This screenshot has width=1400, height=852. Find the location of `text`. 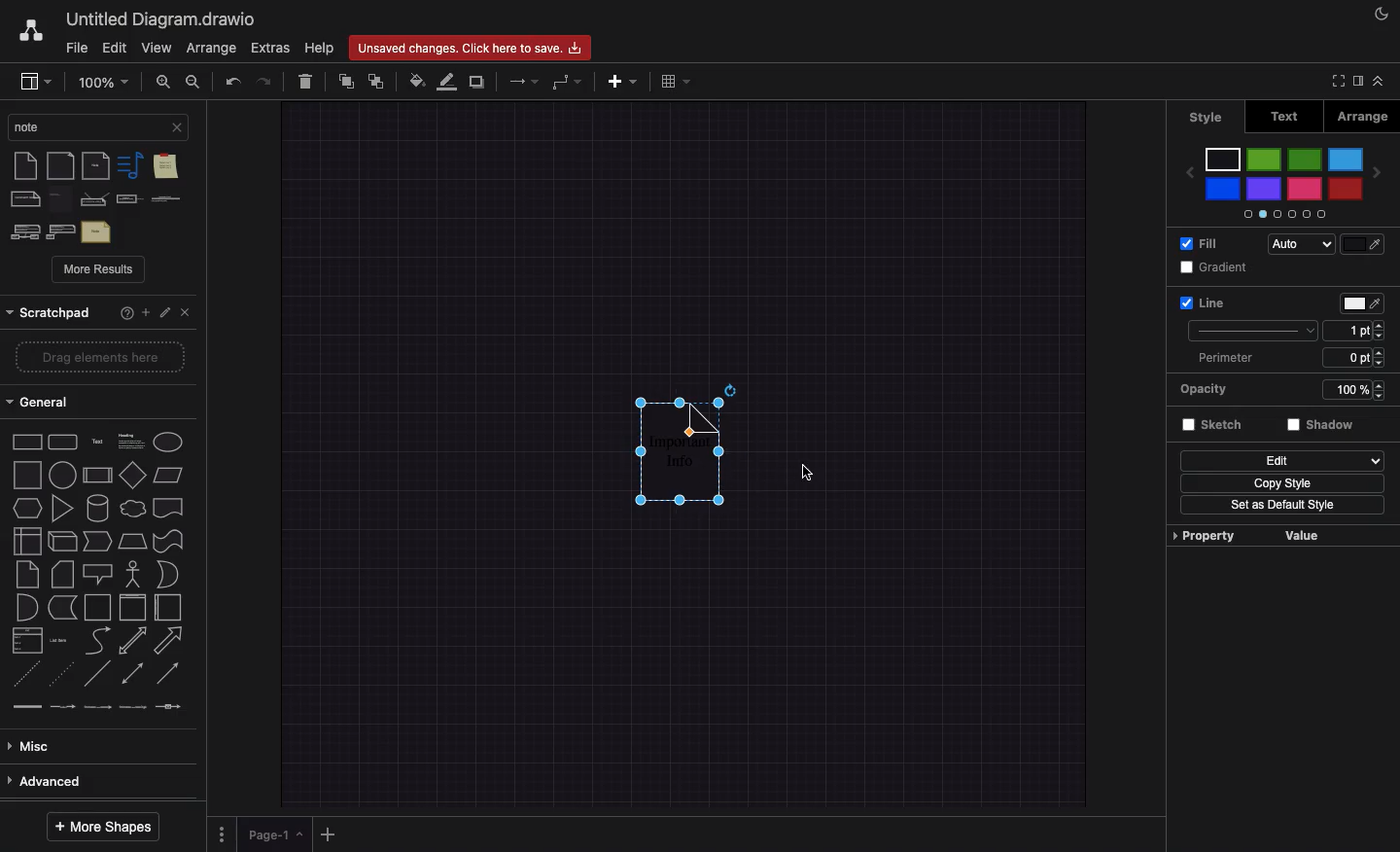

text is located at coordinates (97, 441).